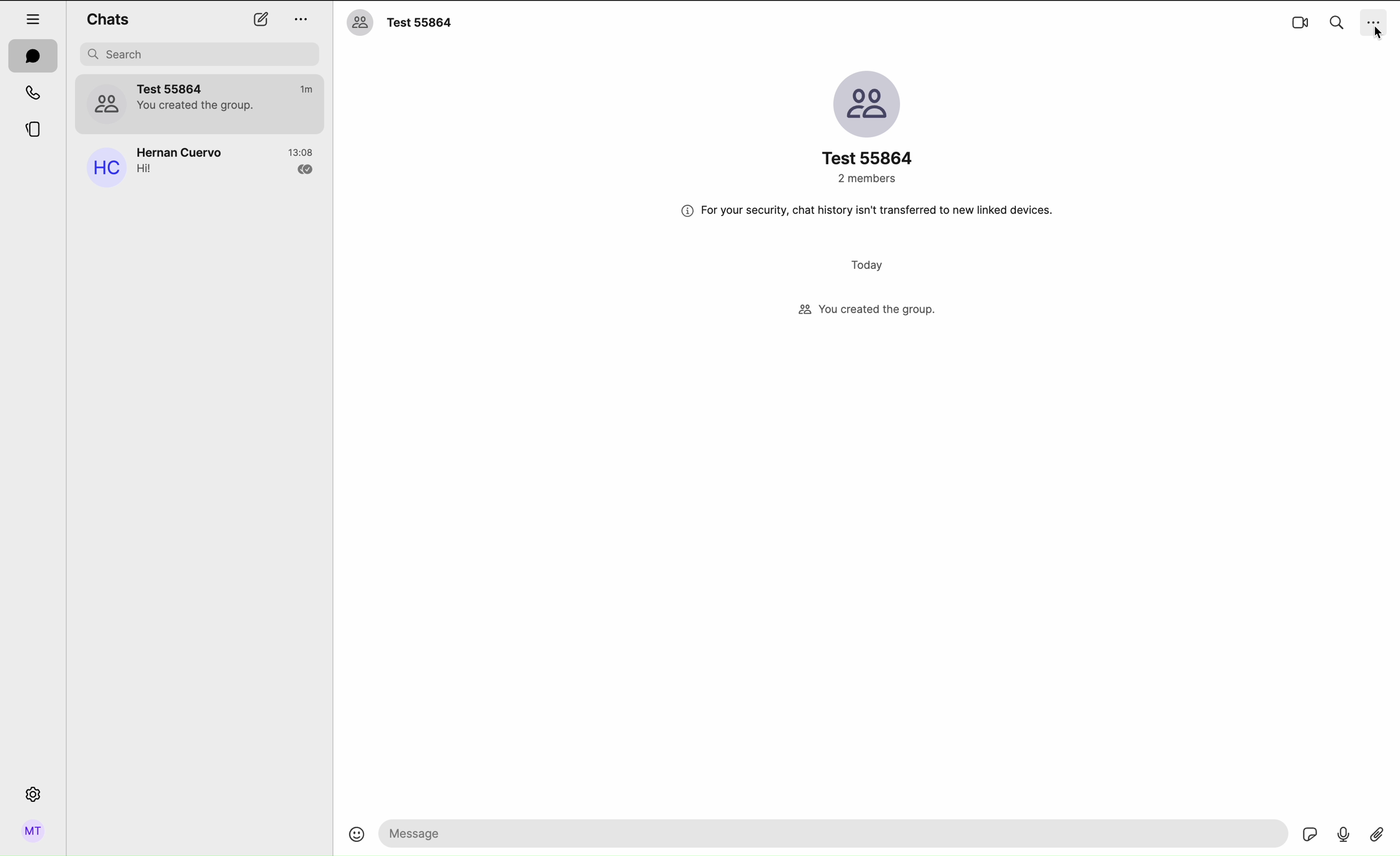 Image resolution: width=1400 pixels, height=856 pixels. I want to click on settings, so click(33, 797).